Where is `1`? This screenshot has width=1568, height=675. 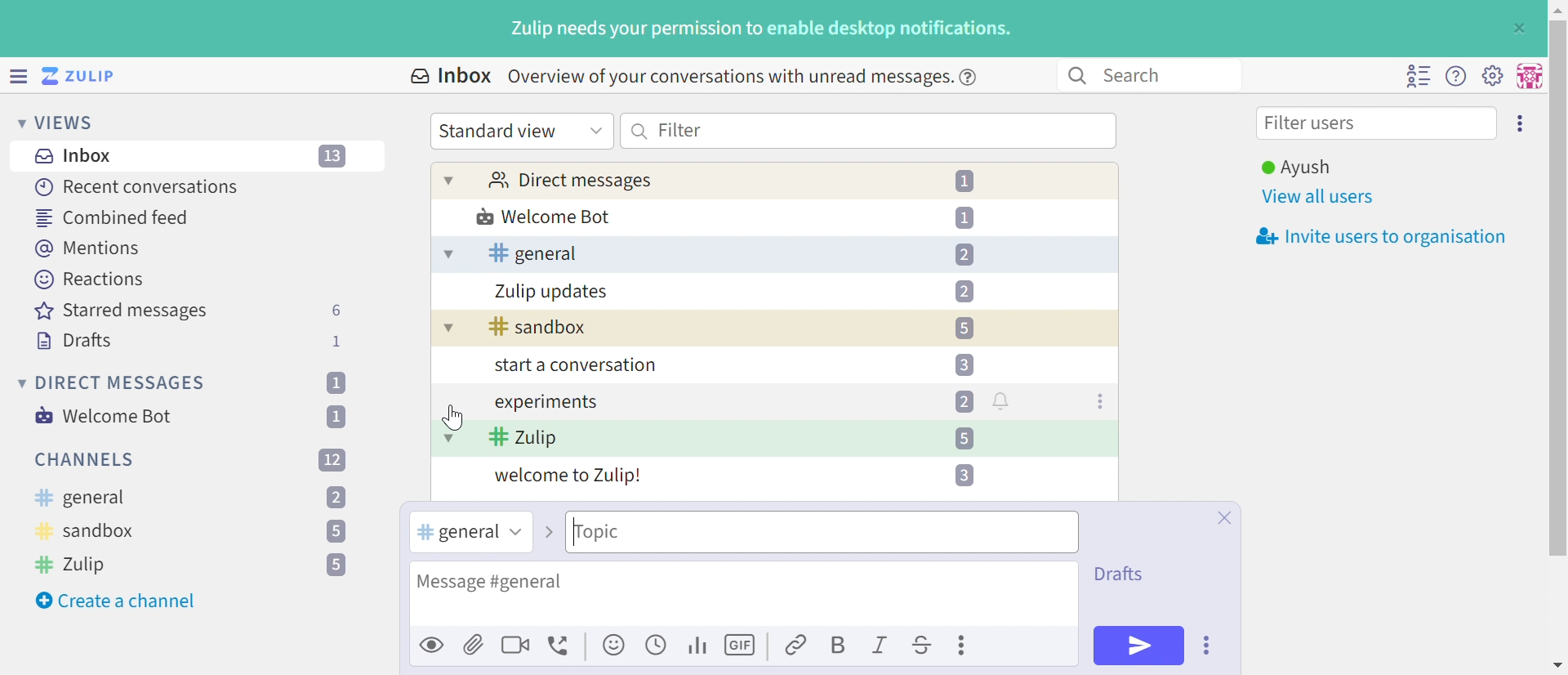
1 is located at coordinates (339, 341).